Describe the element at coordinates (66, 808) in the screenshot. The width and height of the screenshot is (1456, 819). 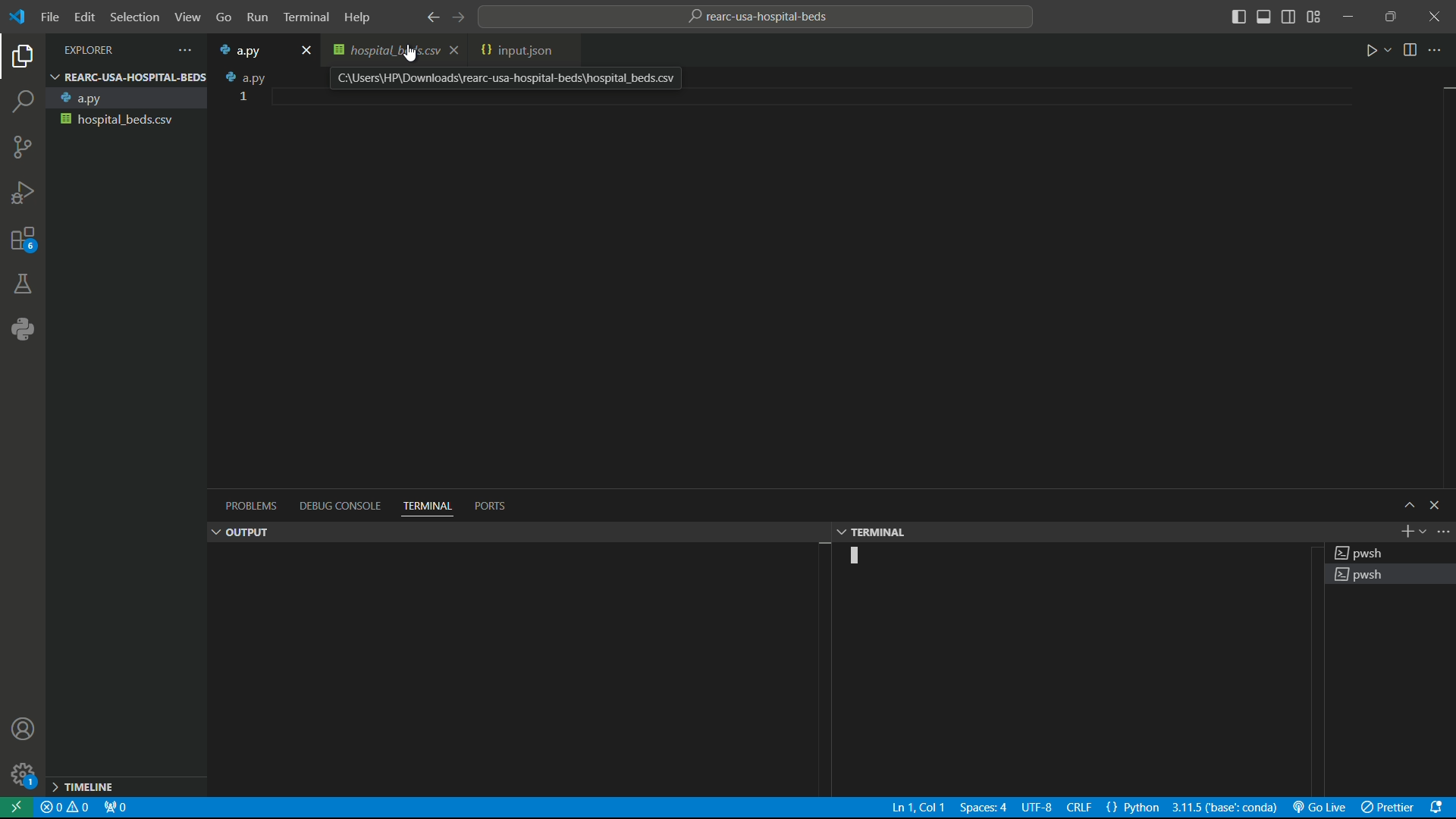
I see `code problems` at that location.